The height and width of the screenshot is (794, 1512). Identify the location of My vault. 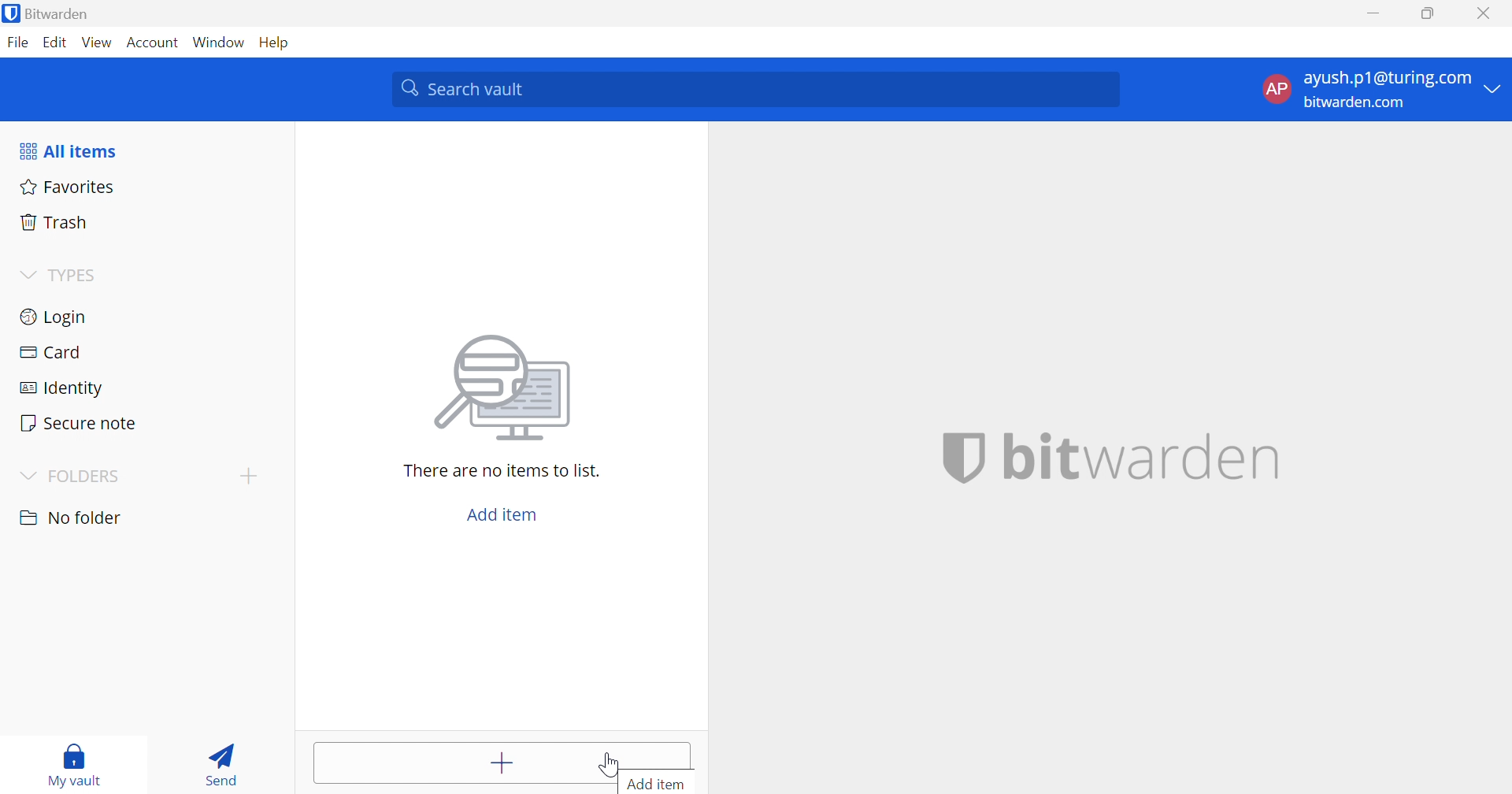
(72, 762).